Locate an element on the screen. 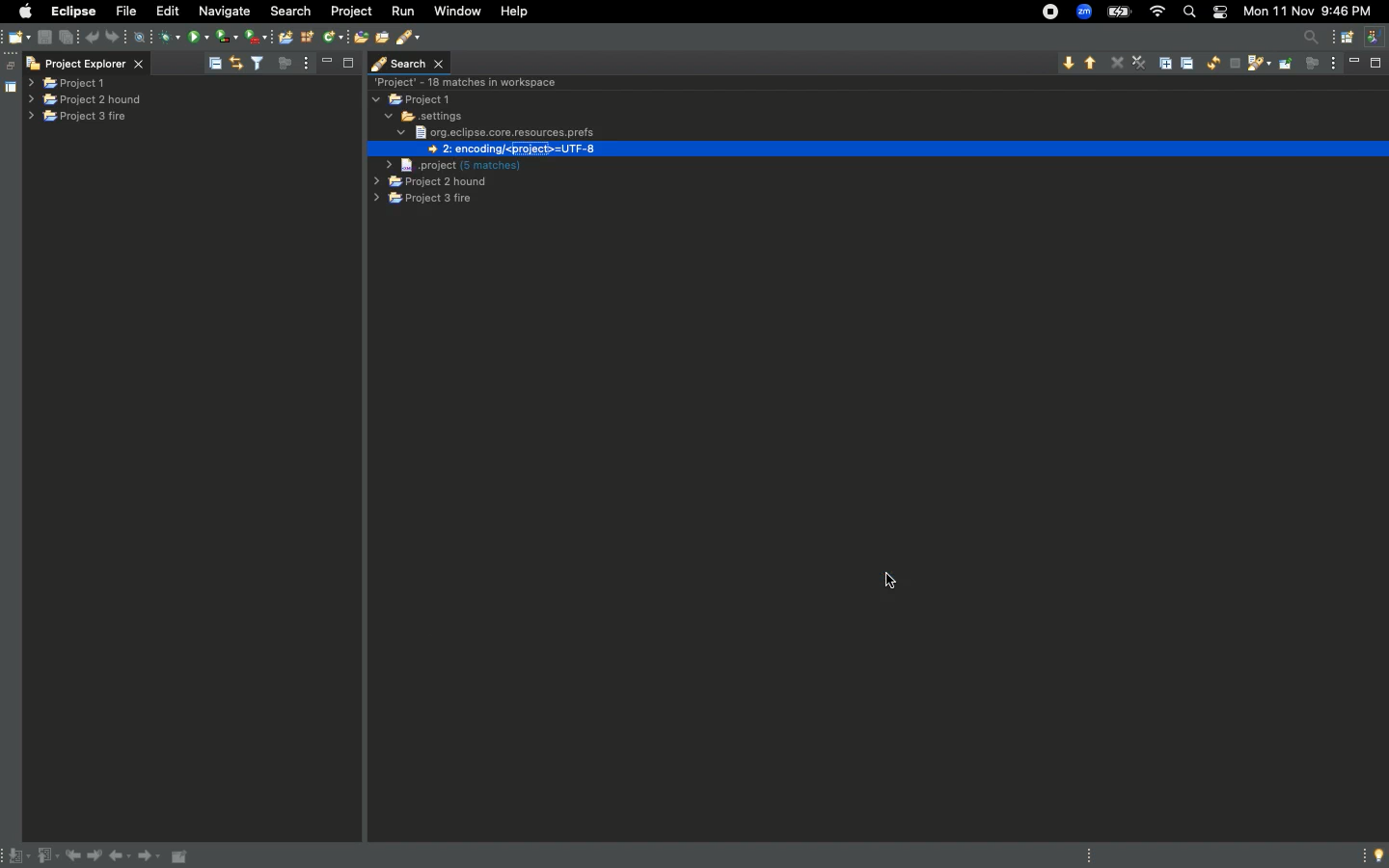 Image resolution: width=1389 pixels, height=868 pixels. minimise is located at coordinates (328, 62).